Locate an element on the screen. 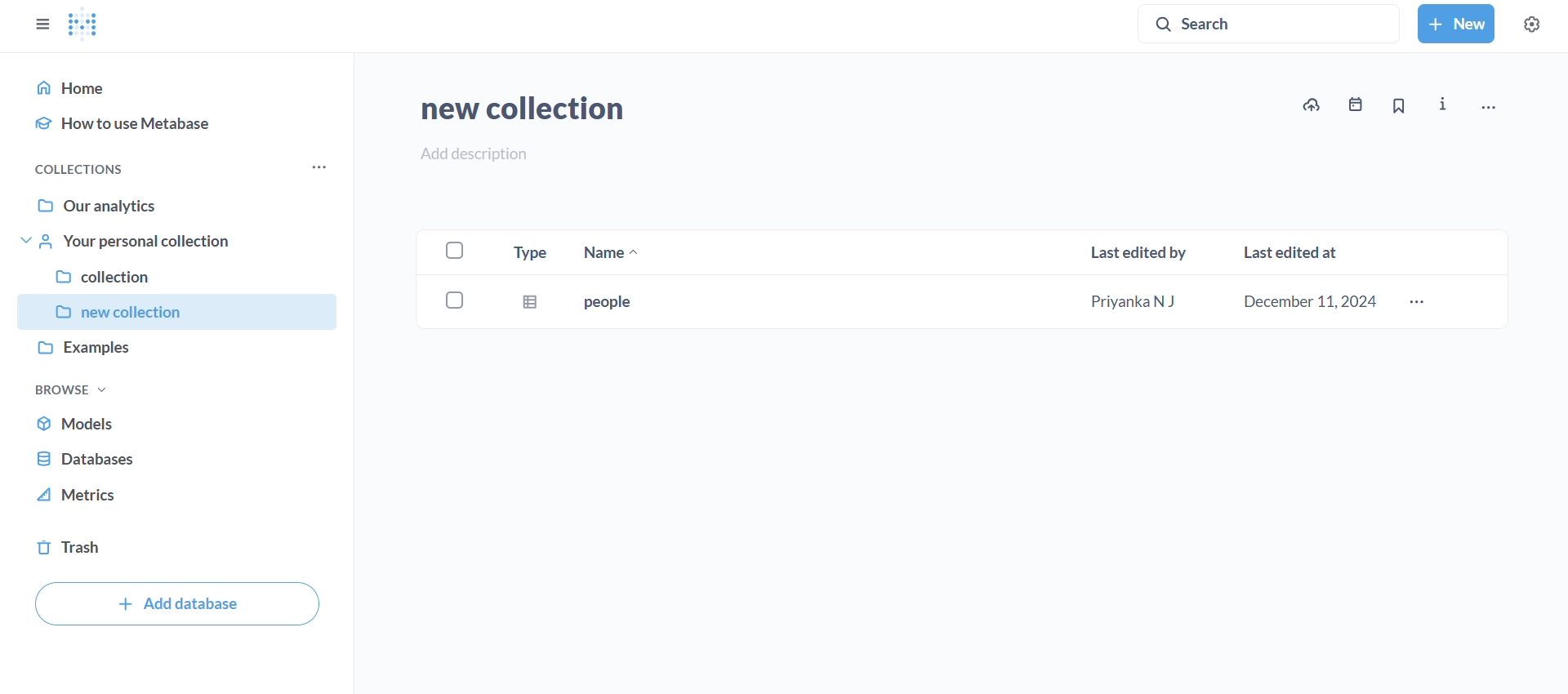  more is located at coordinates (1419, 303).